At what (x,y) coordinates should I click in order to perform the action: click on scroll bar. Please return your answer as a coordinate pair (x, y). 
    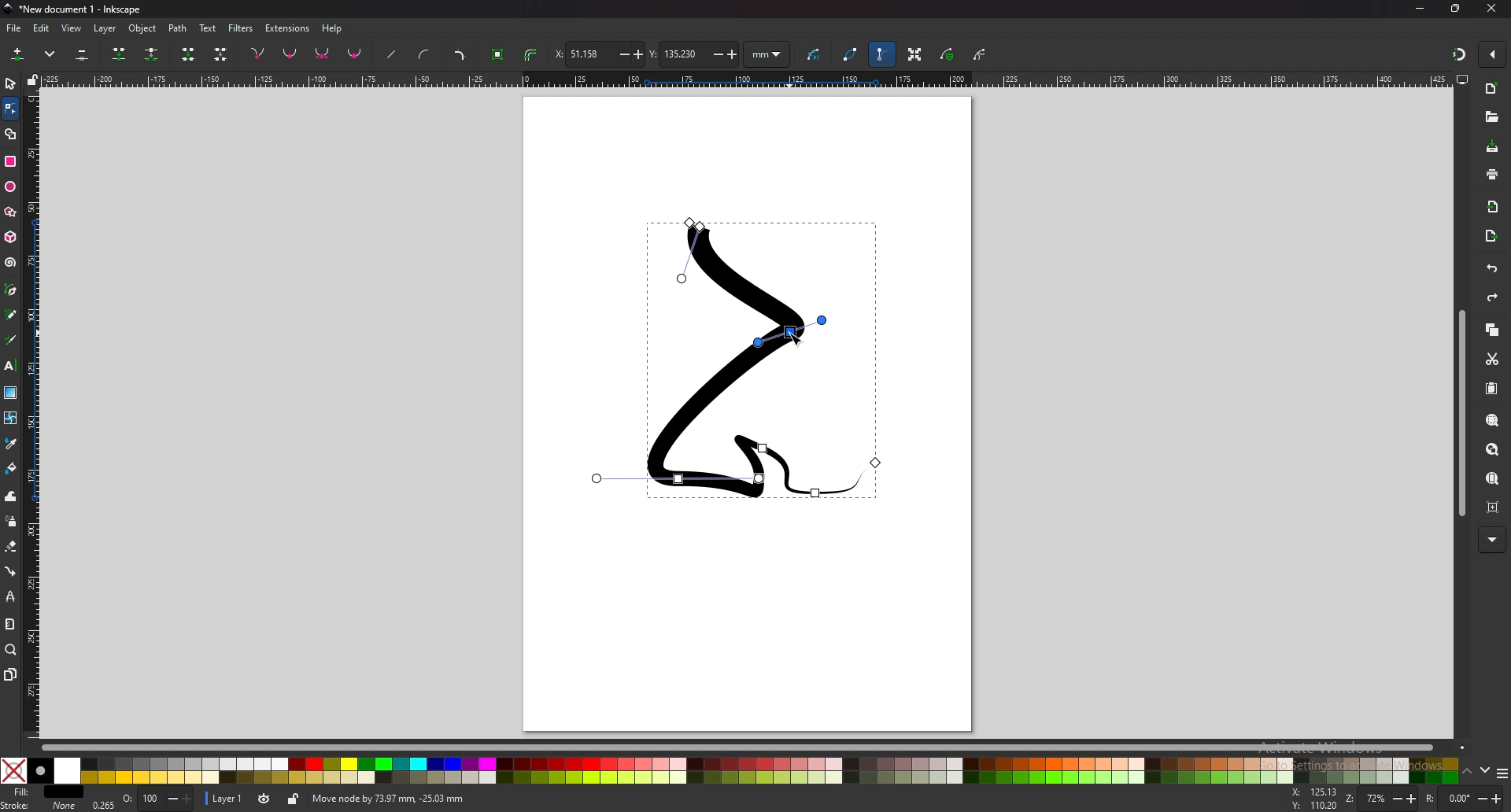
    Looking at the image, I should click on (1461, 413).